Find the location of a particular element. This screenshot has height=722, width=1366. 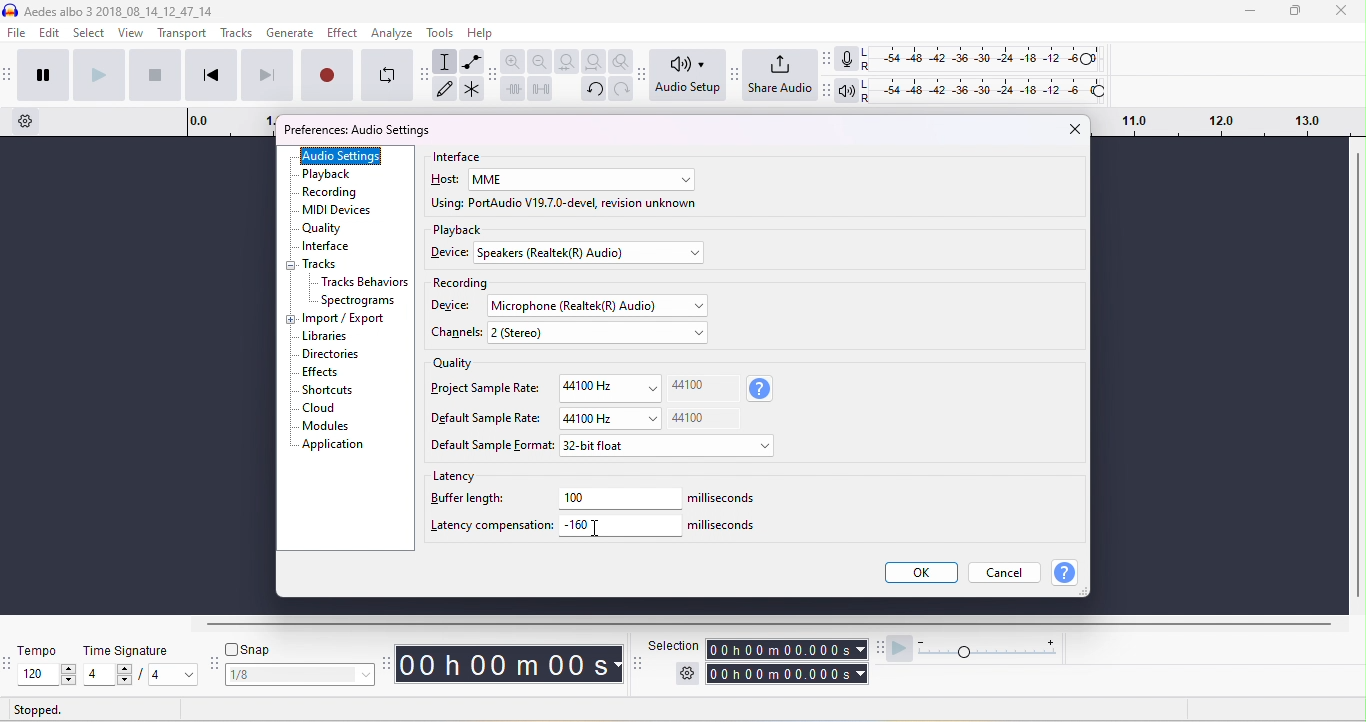

aedes albo 3 3 _2018_08_14_12_47_14 is located at coordinates (109, 11).